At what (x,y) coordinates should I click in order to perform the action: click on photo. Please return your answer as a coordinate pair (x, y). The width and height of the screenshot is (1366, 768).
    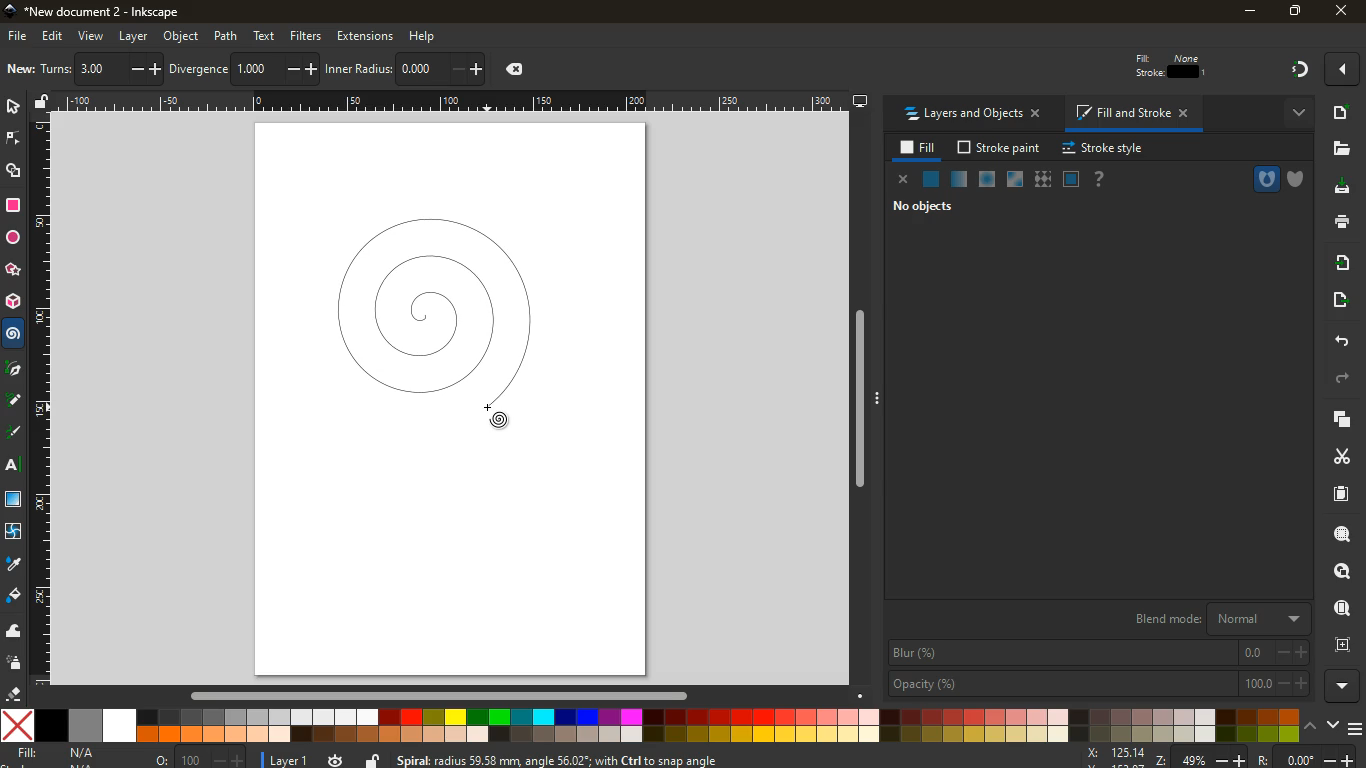
    Looking at the image, I should click on (102, 67).